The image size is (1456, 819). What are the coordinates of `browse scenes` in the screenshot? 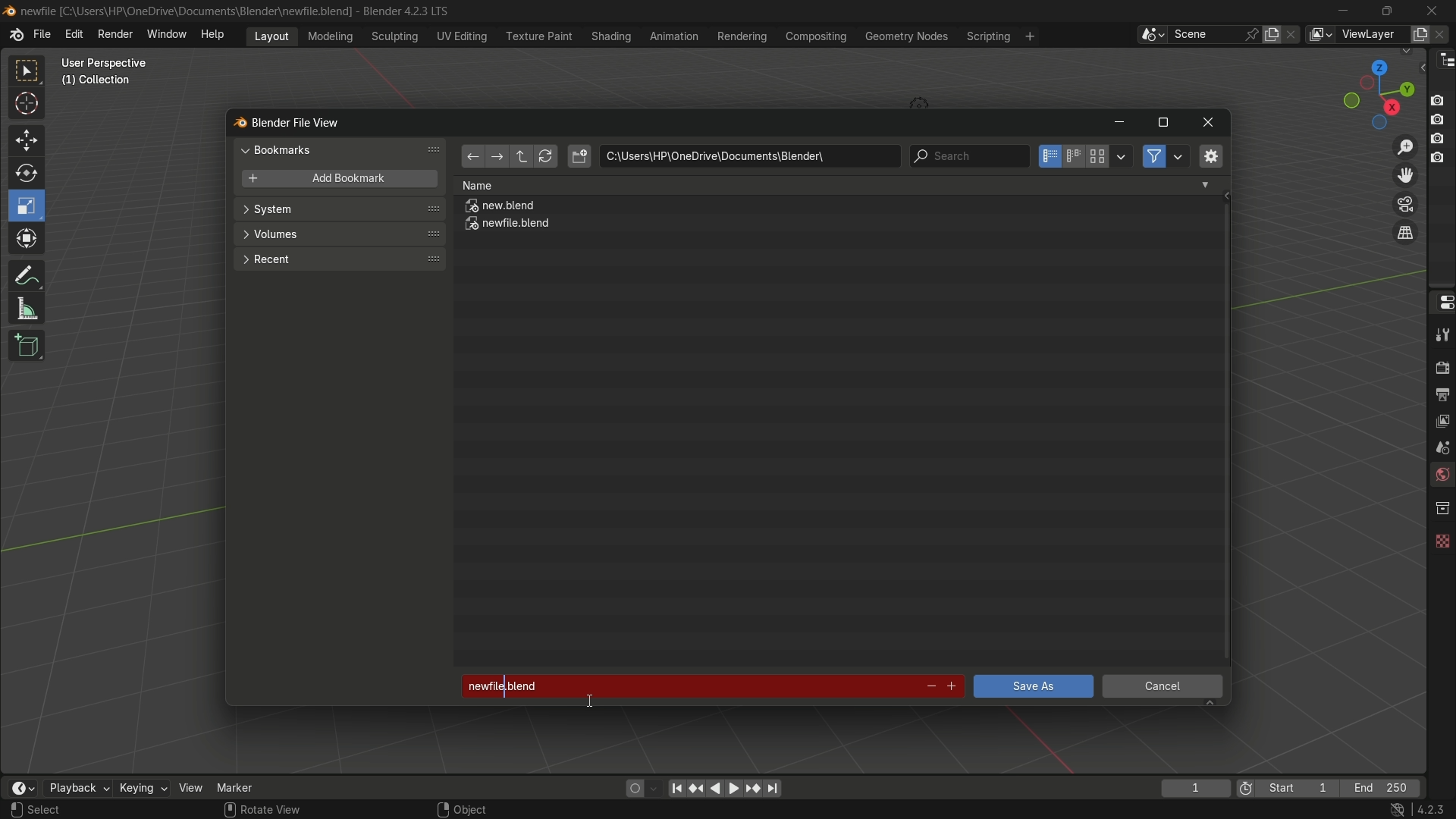 It's located at (1152, 35).